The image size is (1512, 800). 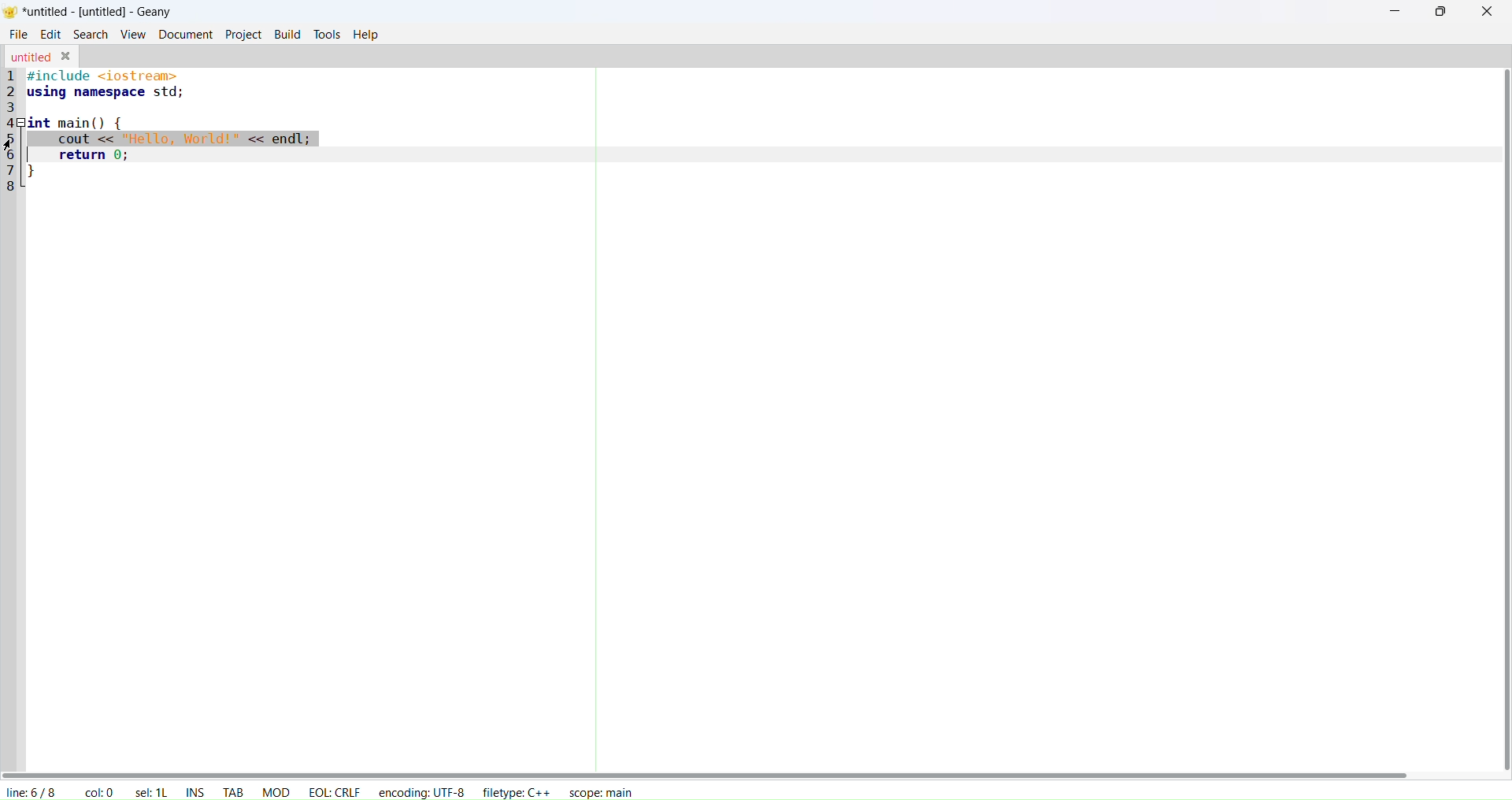 What do you see at coordinates (30, 57) in the screenshot?
I see `untitled` at bounding box center [30, 57].